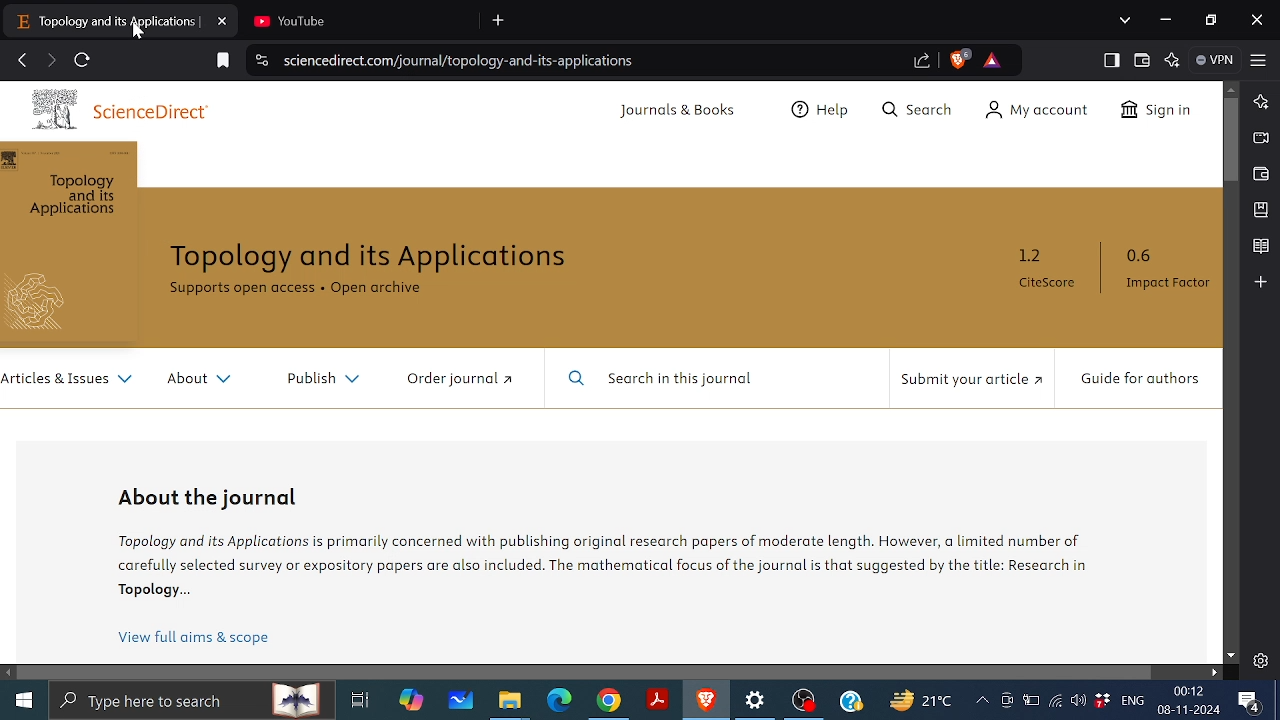 This screenshot has height=720, width=1280. I want to click on Add bookmark, so click(224, 61).